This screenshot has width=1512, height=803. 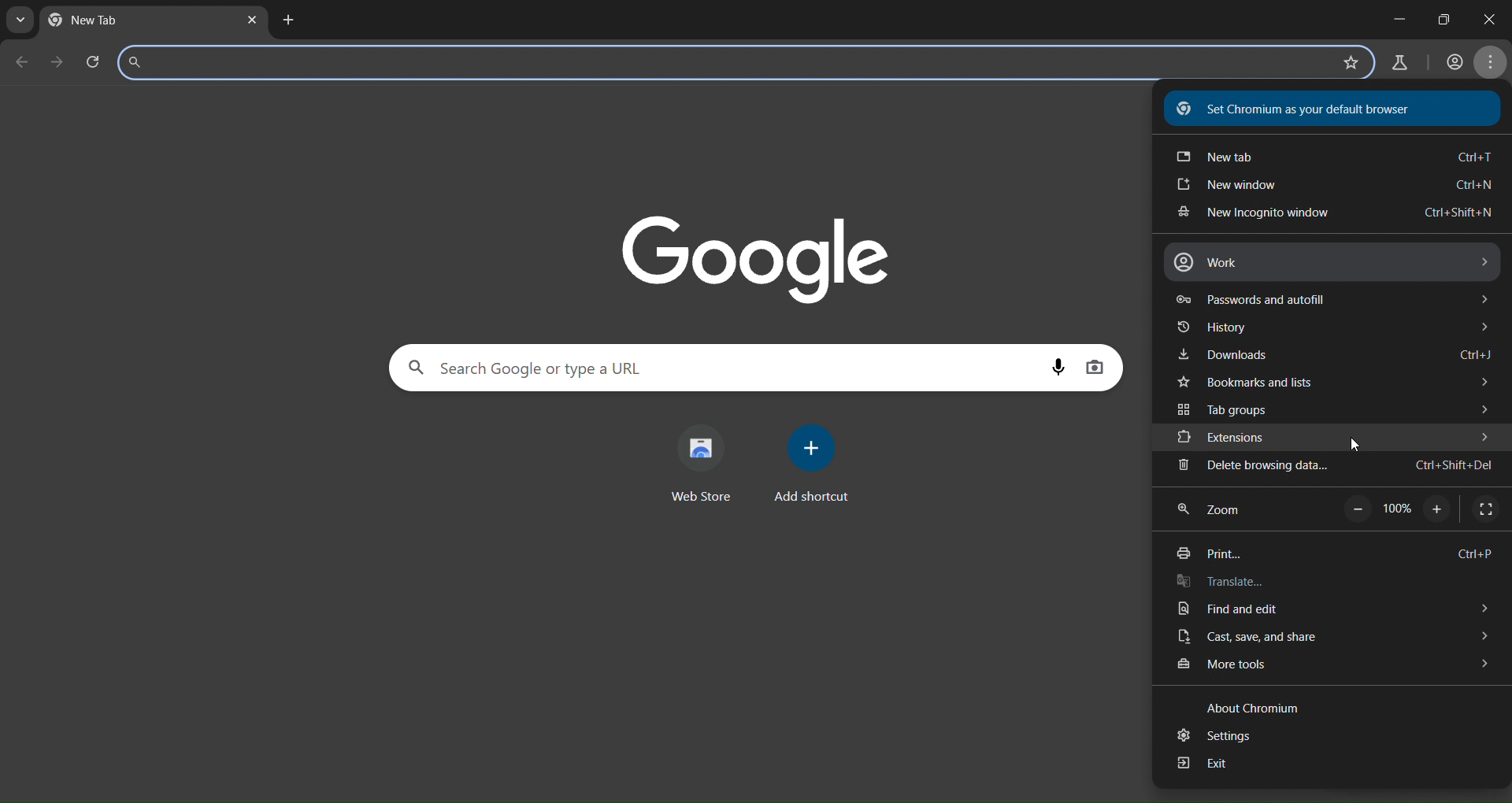 What do you see at coordinates (1217, 735) in the screenshot?
I see `settings` at bounding box center [1217, 735].